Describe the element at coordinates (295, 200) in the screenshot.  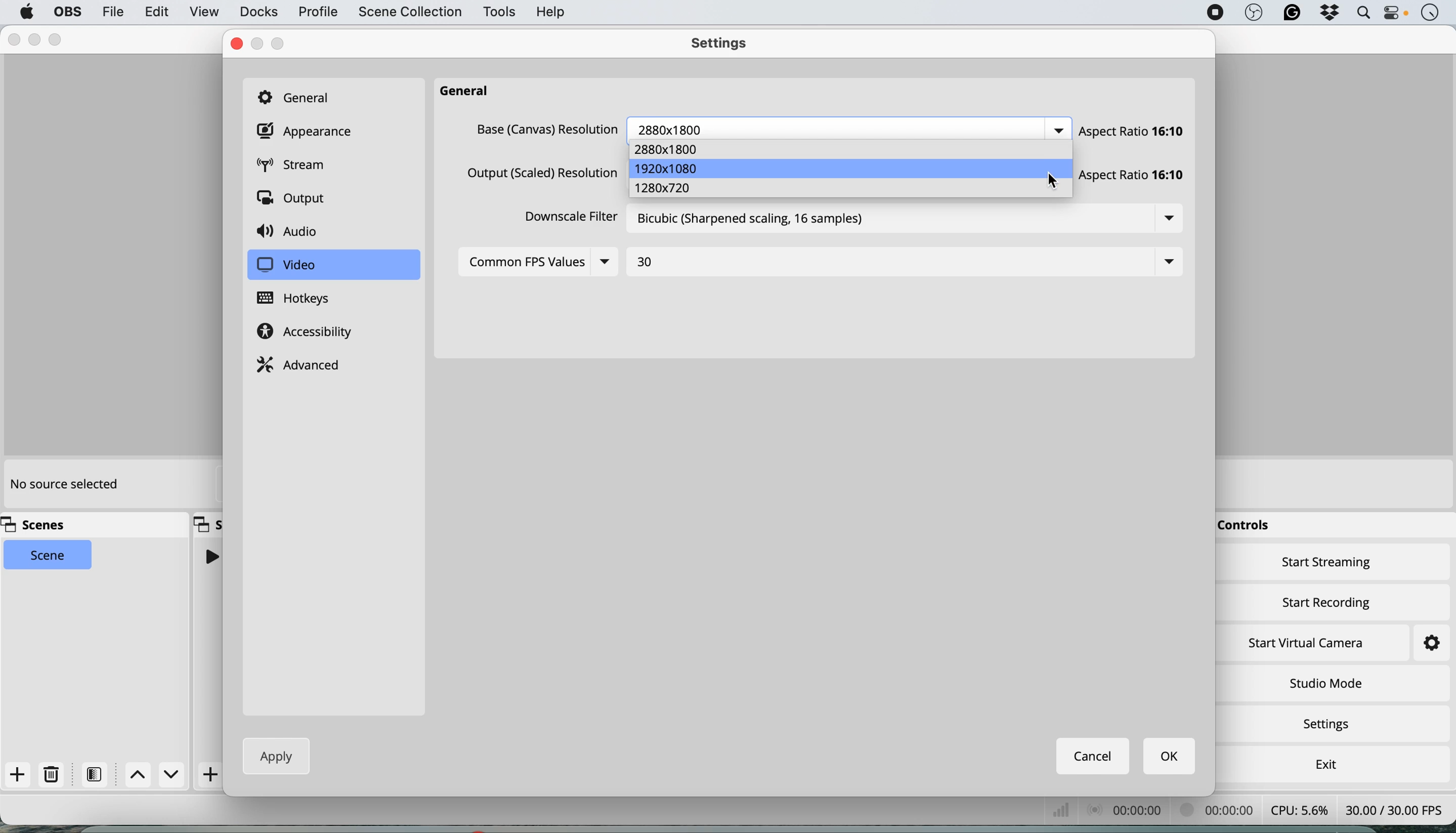
I see `output` at that location.